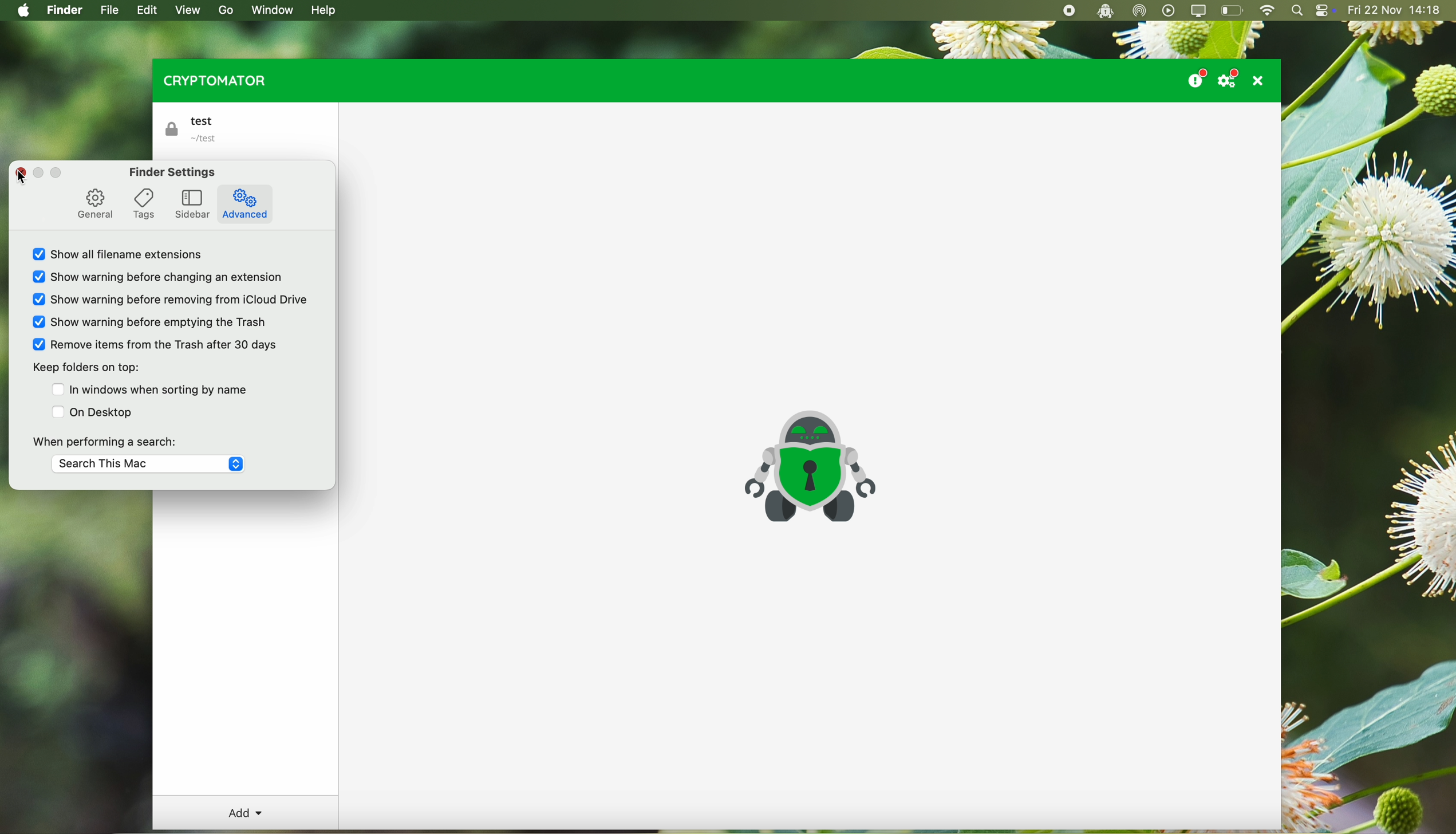 The height and width of the screenshot is (834, 1456). I want to click on tags, so click(144, 203).